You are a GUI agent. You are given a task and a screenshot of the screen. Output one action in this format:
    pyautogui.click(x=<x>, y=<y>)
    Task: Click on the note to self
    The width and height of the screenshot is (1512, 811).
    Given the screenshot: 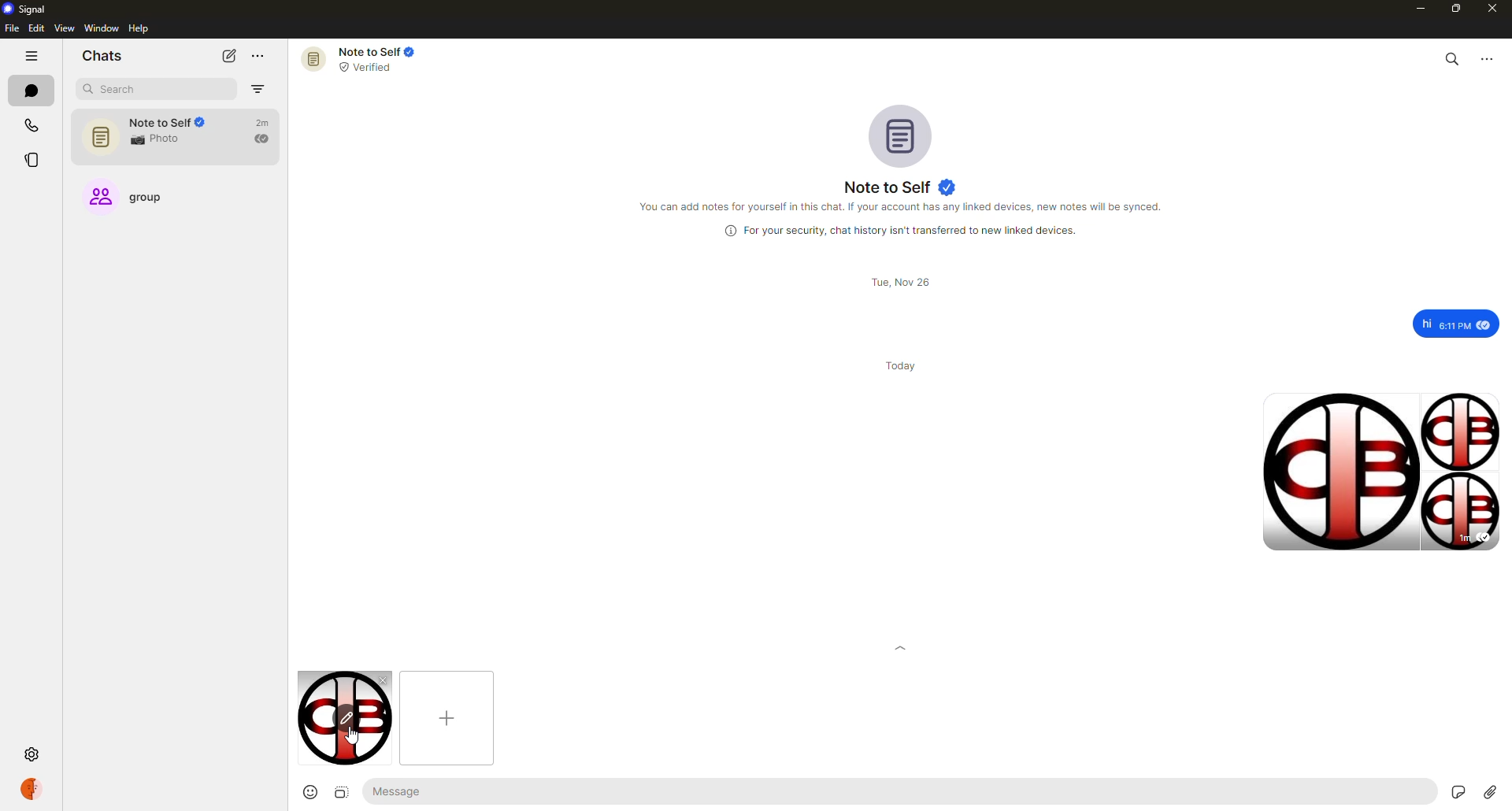 What is the action you would take?
    pyautogui.click(x=899, y=187)
    